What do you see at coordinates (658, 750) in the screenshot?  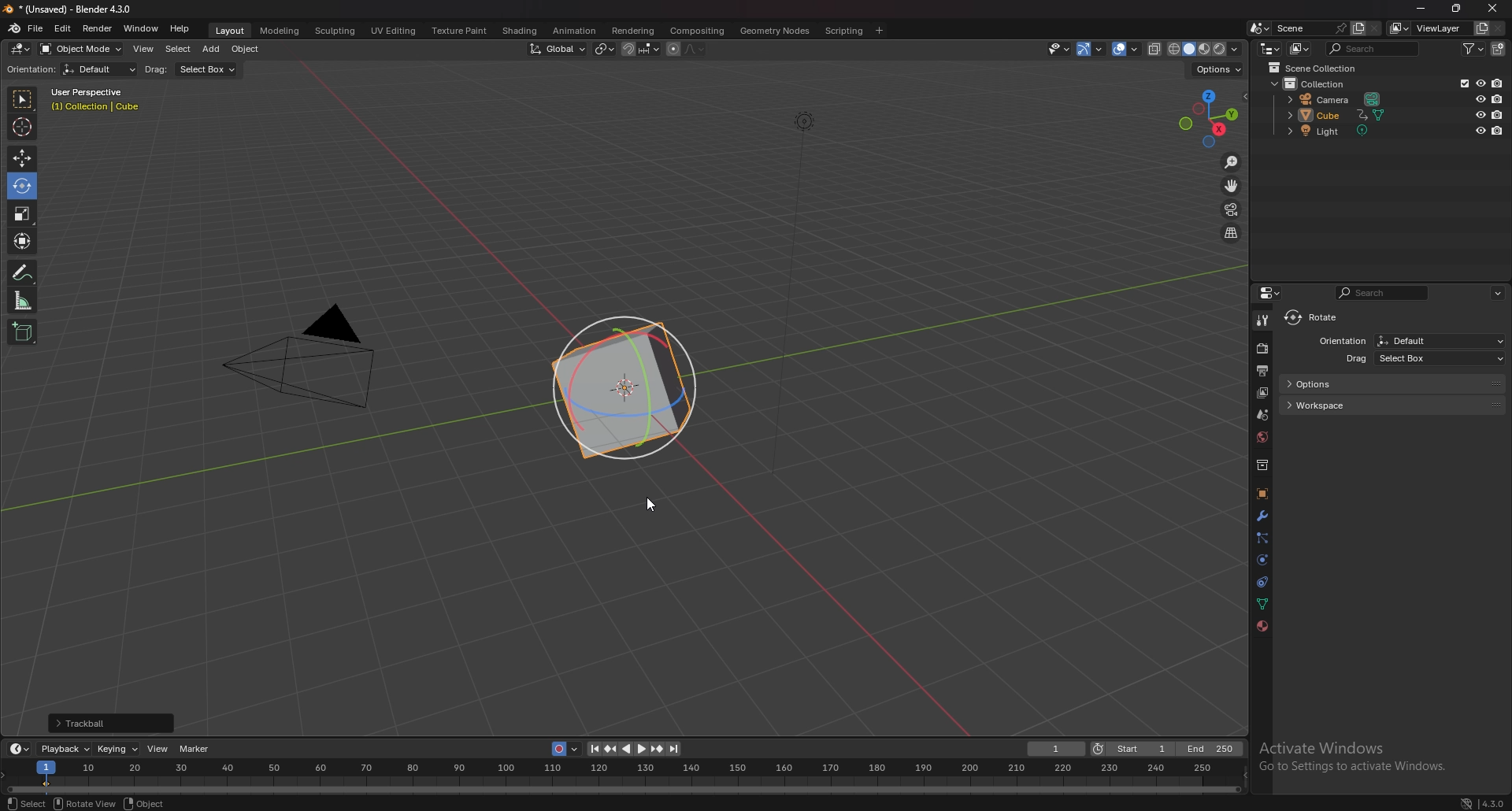 I see `jump to key frame` at bounding box center [658, 750].